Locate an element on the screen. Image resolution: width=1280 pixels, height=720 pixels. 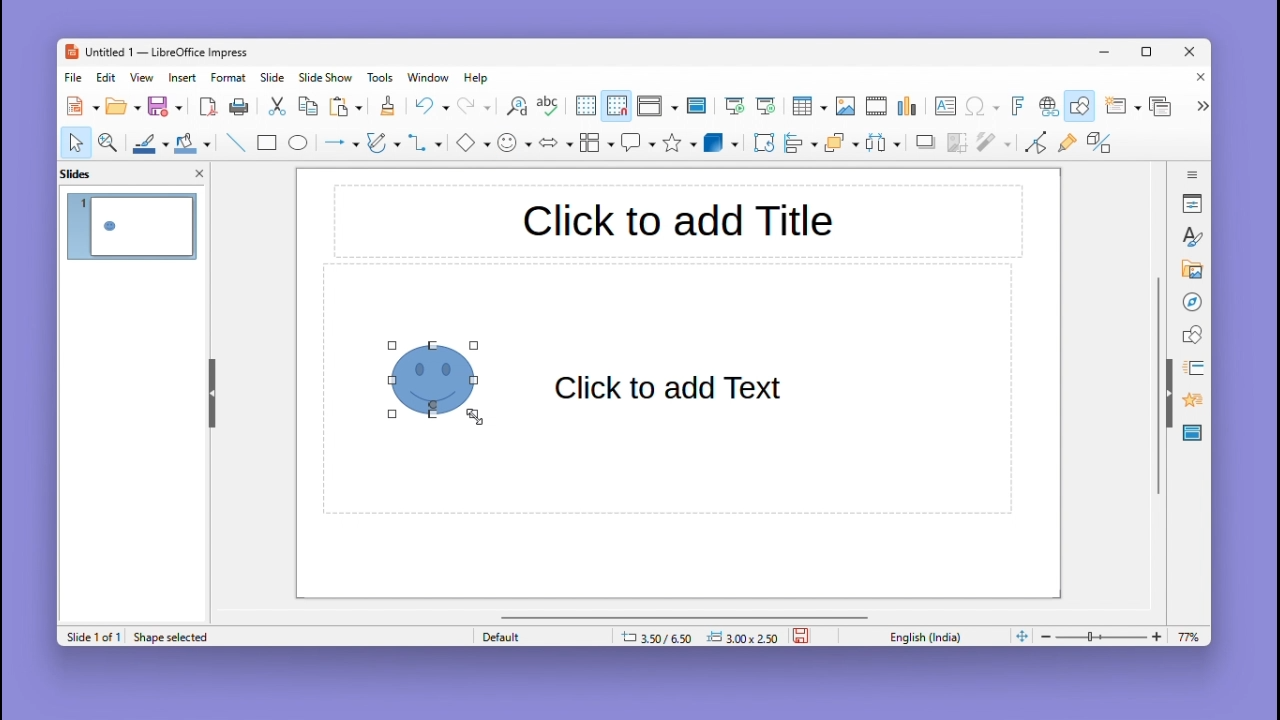
Master slide is located at coordinates (699, 105).